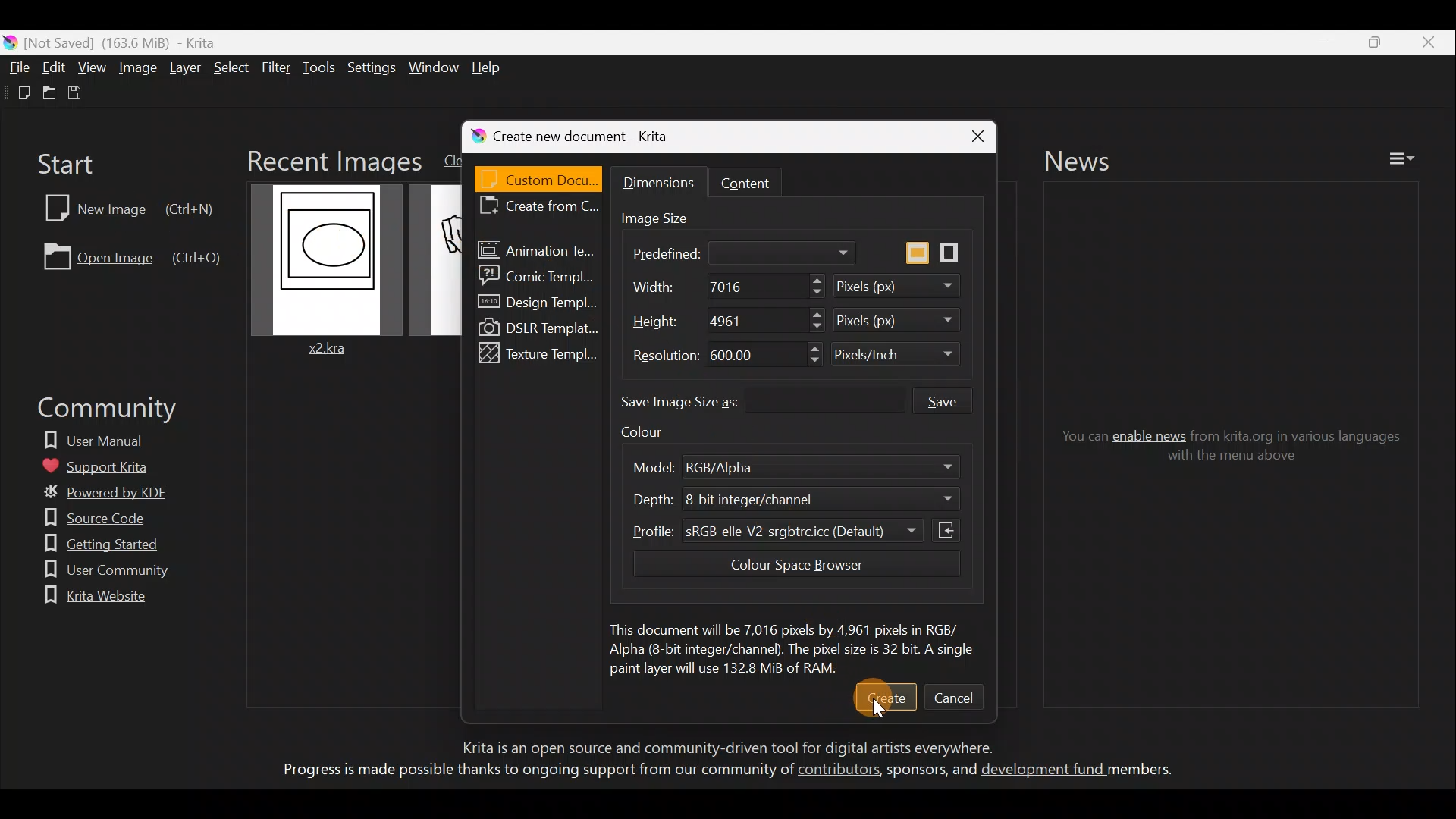  Describe the element at coordinates (130, 256) in the screenshot. I see `Open image (Ctrl+O)` at that location.